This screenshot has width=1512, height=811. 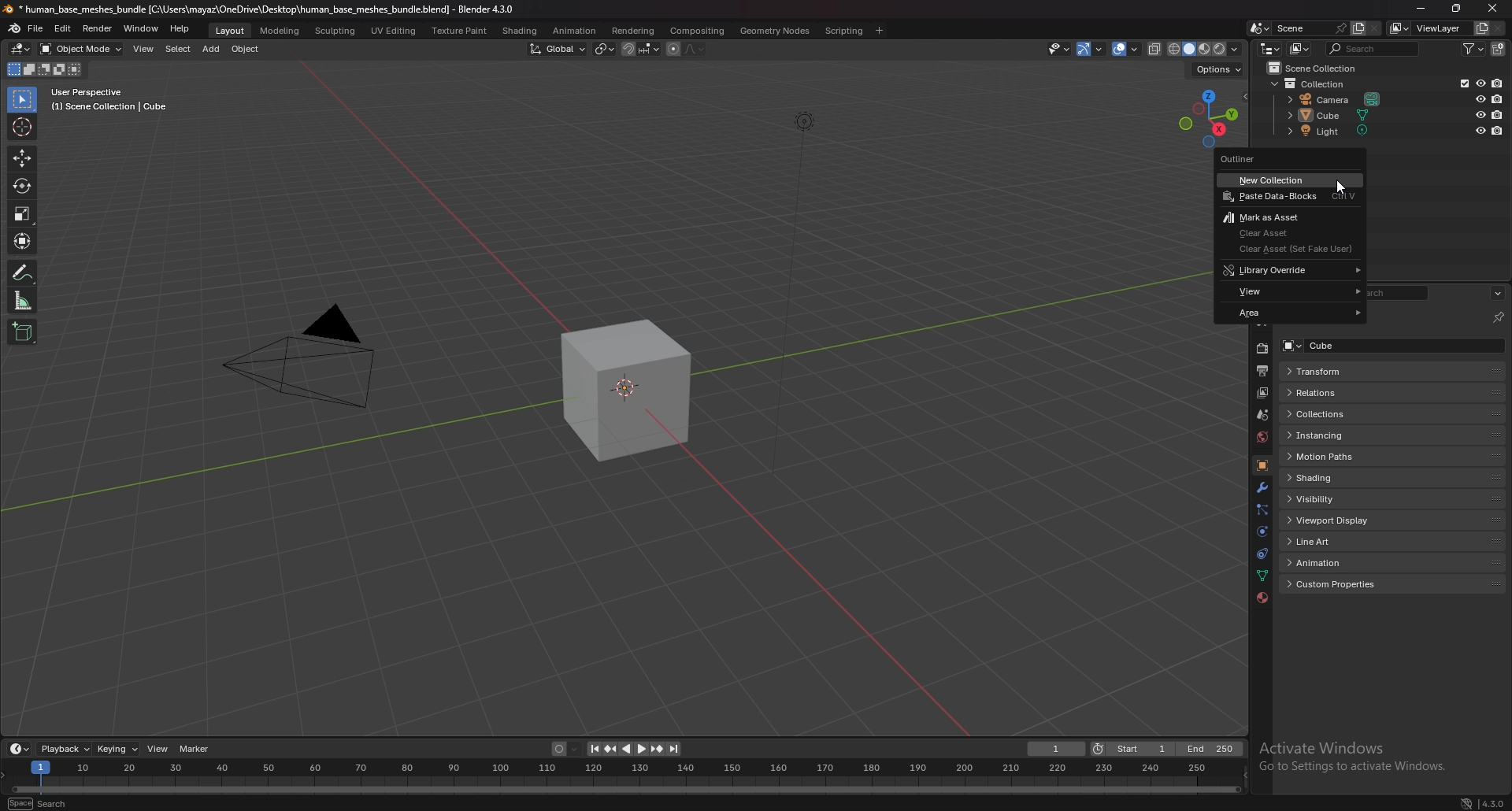 What do you see at coordinates (24, 100) in the screenshot?
I see `select` at bounding box center [24, 100].